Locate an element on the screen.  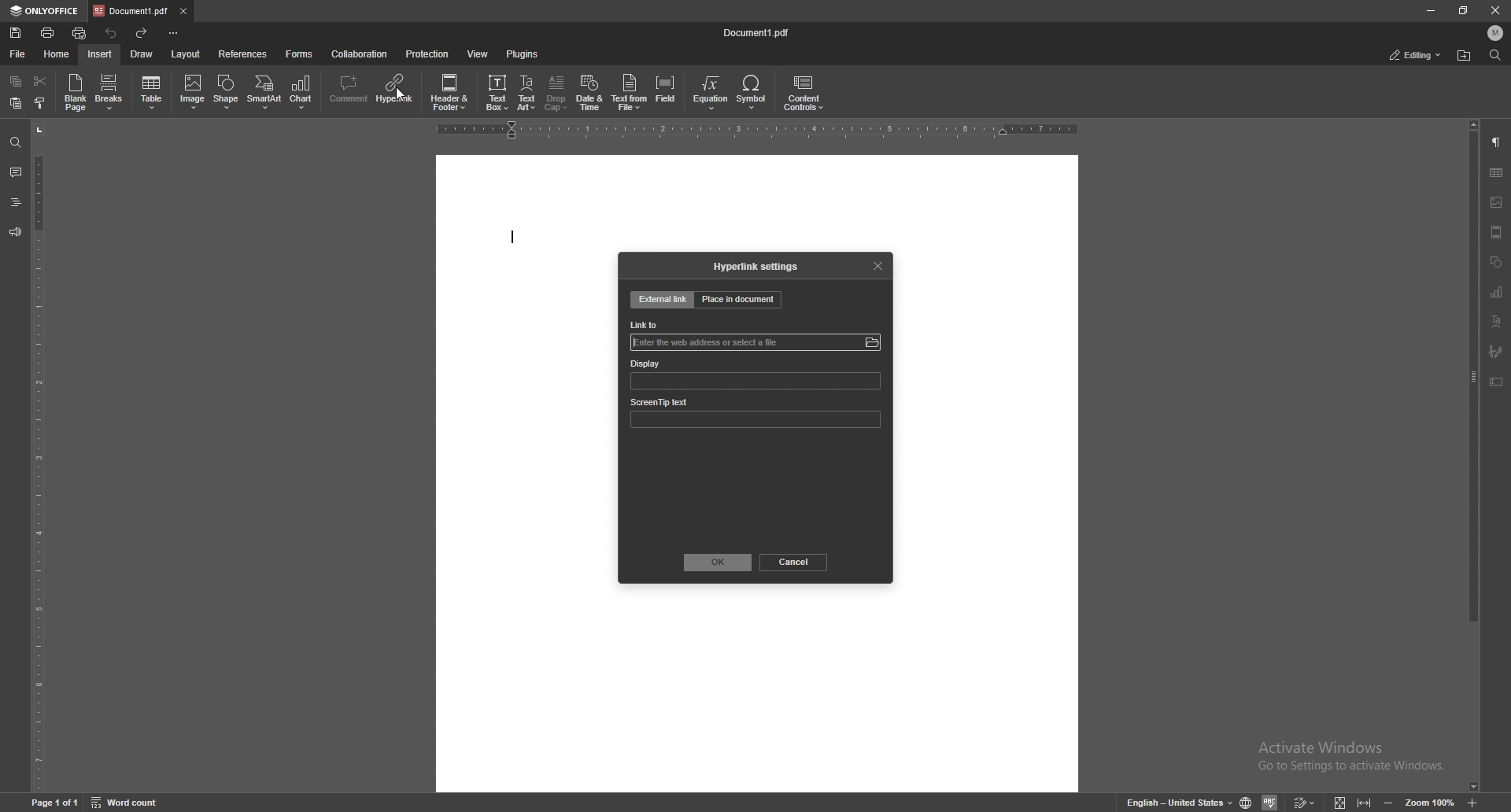
feedback is located at coordinates (15, 231).